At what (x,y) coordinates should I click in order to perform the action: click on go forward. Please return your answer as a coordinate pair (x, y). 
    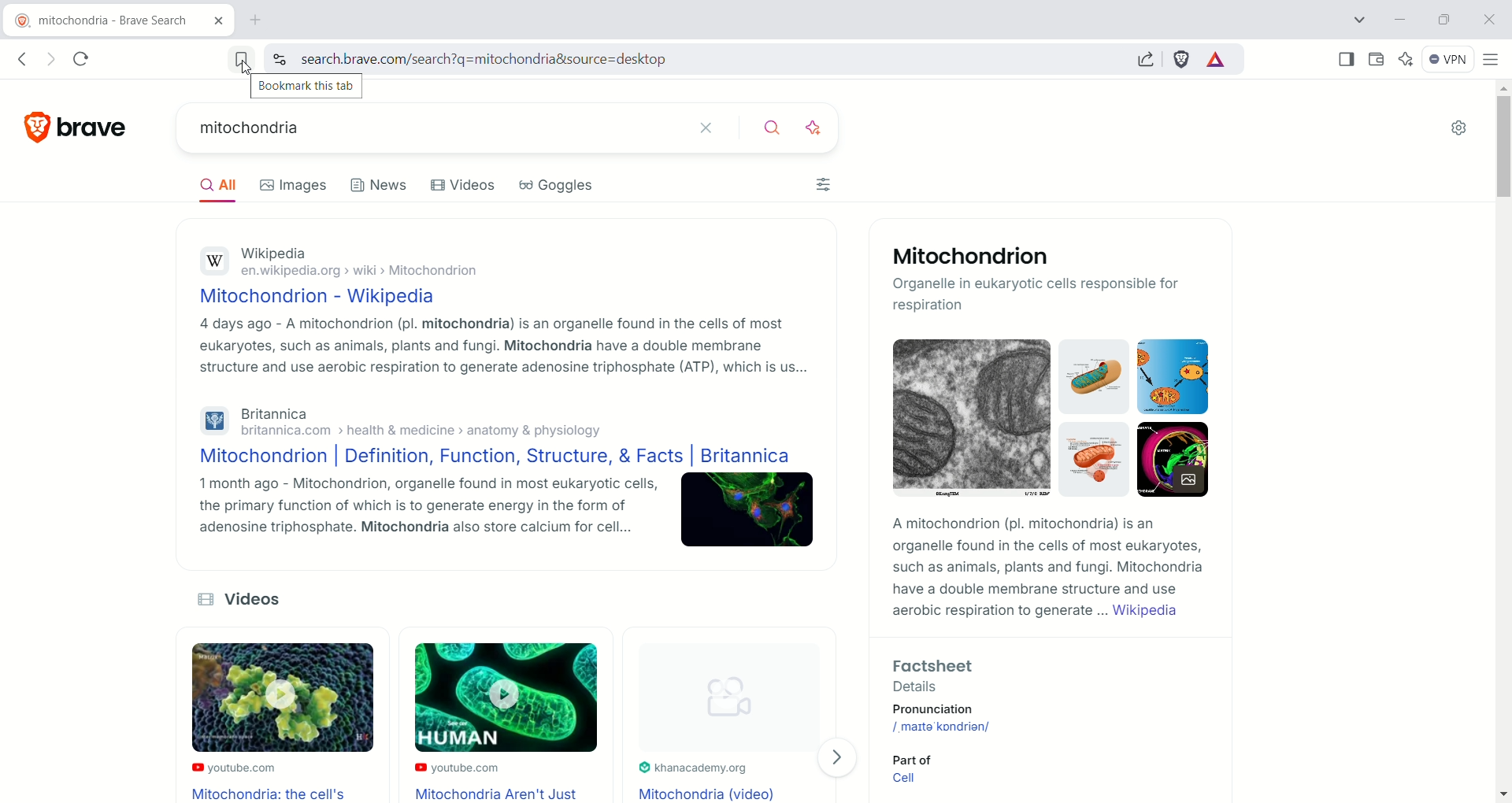
    Looking at the image, I should click on (51, 58).